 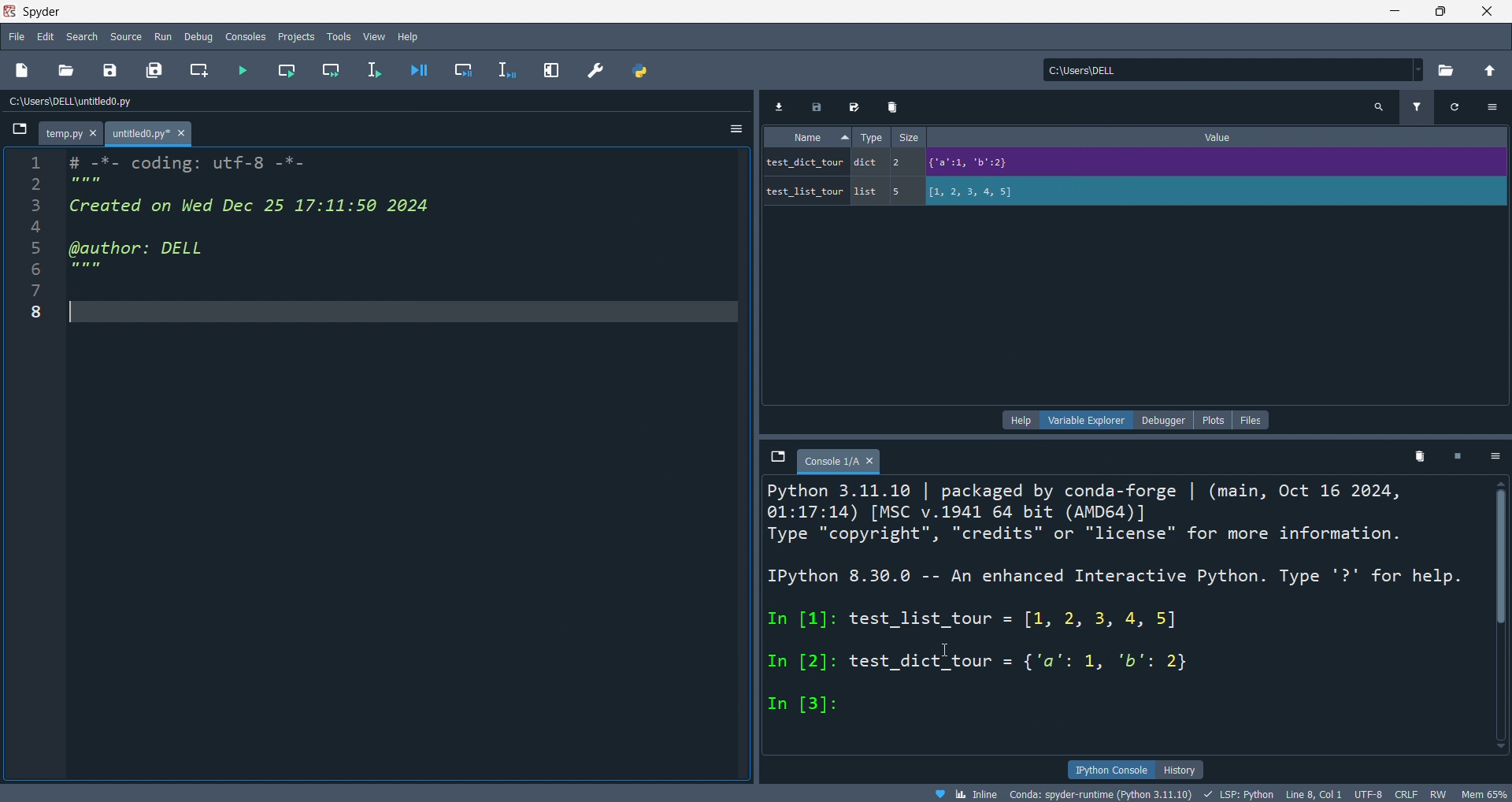 What do you see at coordinates (895, 108) in the screenshot?
I see `delete variables` at bounding box center [895, 108].